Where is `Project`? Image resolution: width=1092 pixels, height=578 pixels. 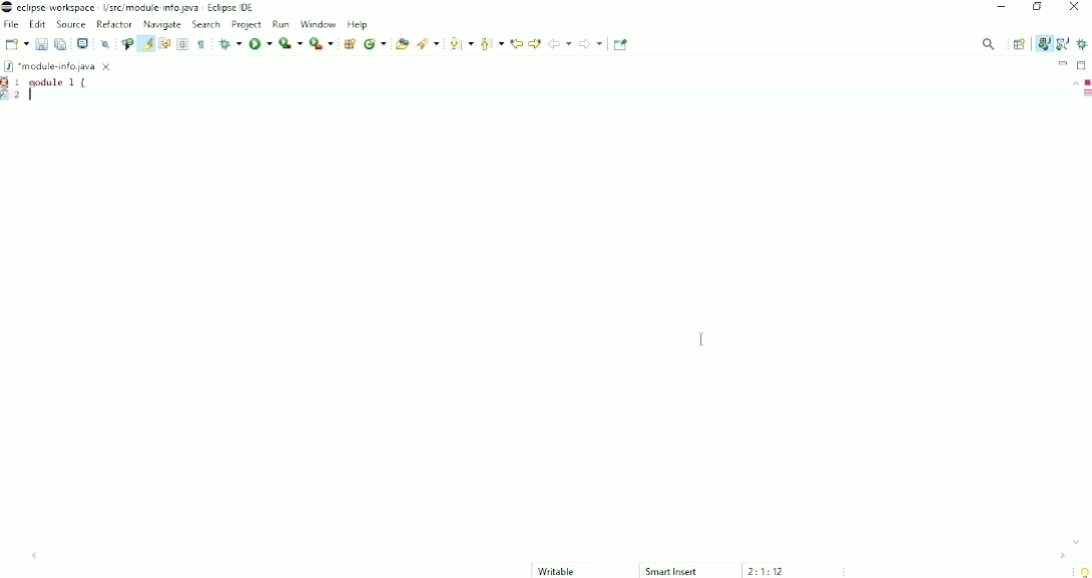 Project is located at coordinates (247, 24).